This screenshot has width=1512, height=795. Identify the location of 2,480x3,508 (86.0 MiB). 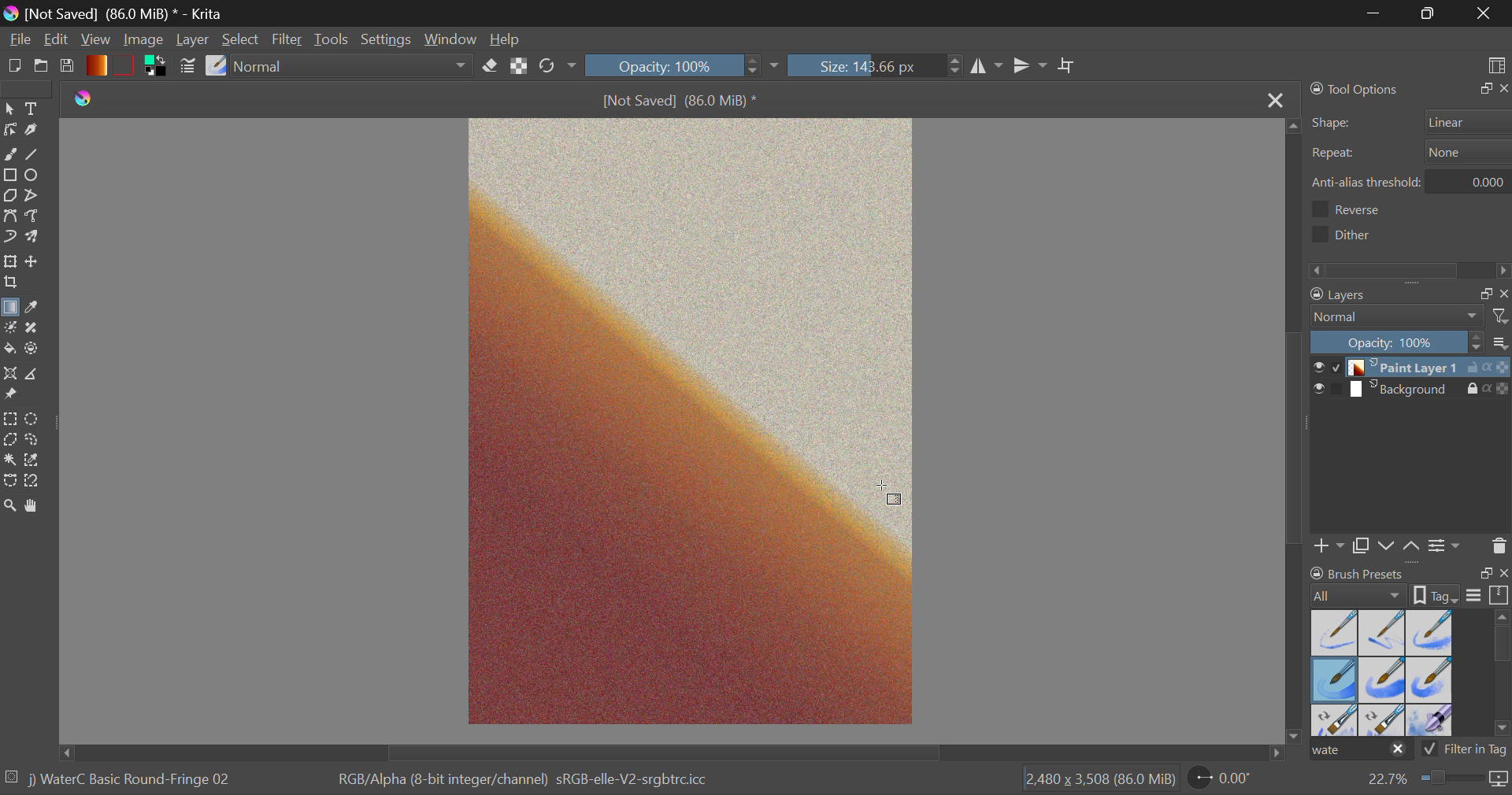
(1098, 780).